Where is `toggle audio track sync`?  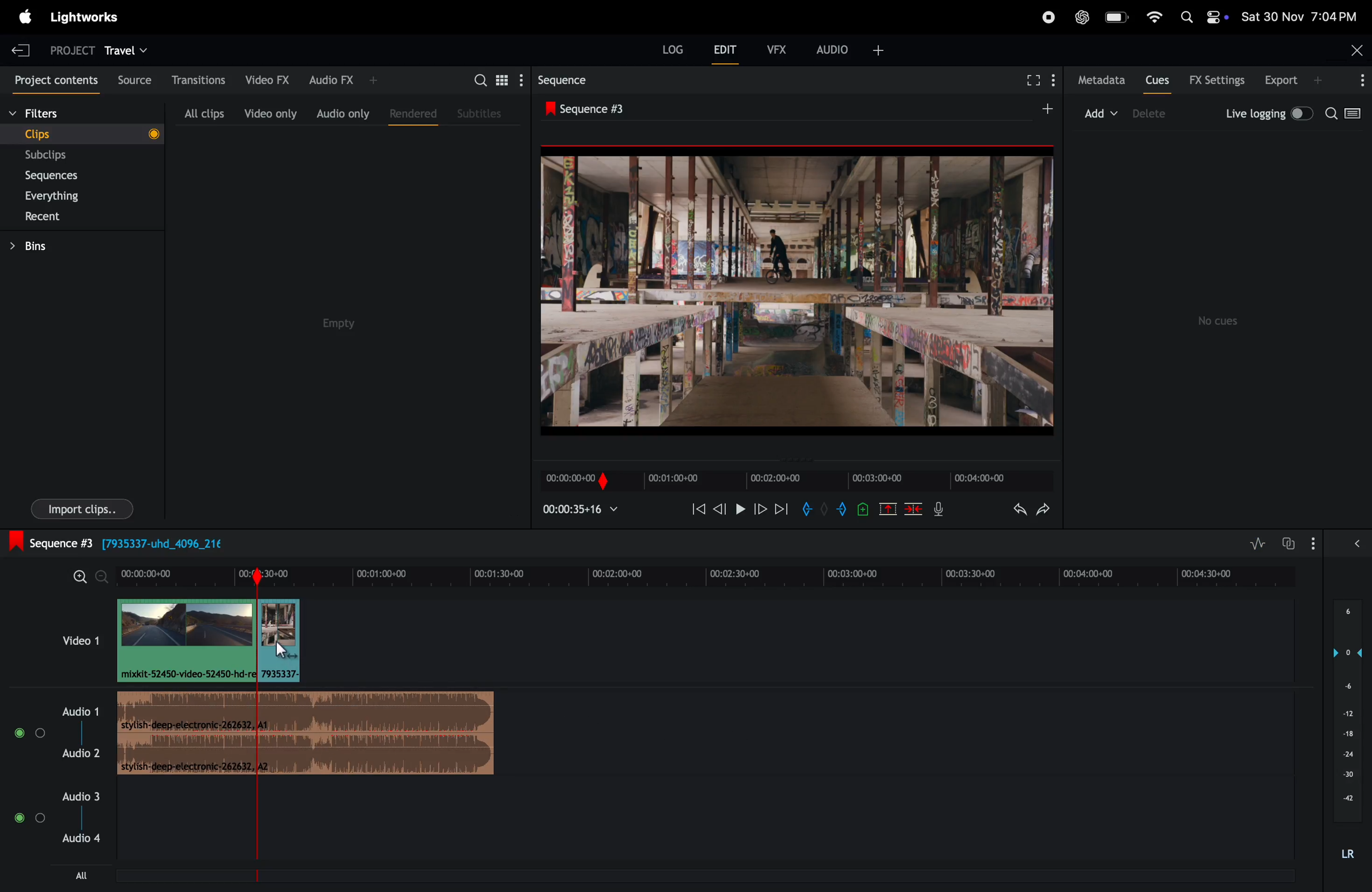
toggle audio track sync is located at coordinates (1286, 543).